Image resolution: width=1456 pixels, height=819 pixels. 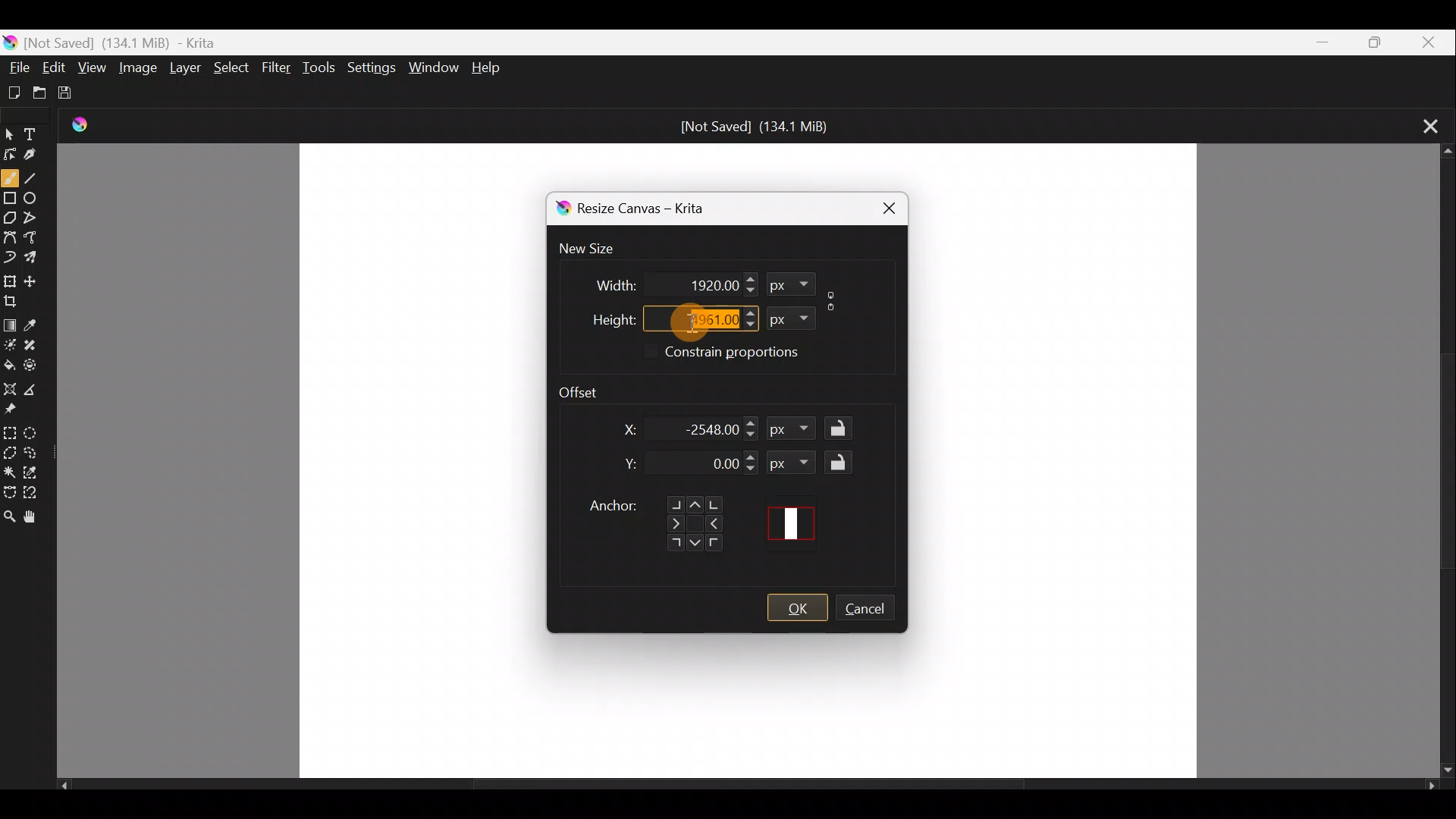 I want to click on Krita Logo, so click(x=86, y=124).